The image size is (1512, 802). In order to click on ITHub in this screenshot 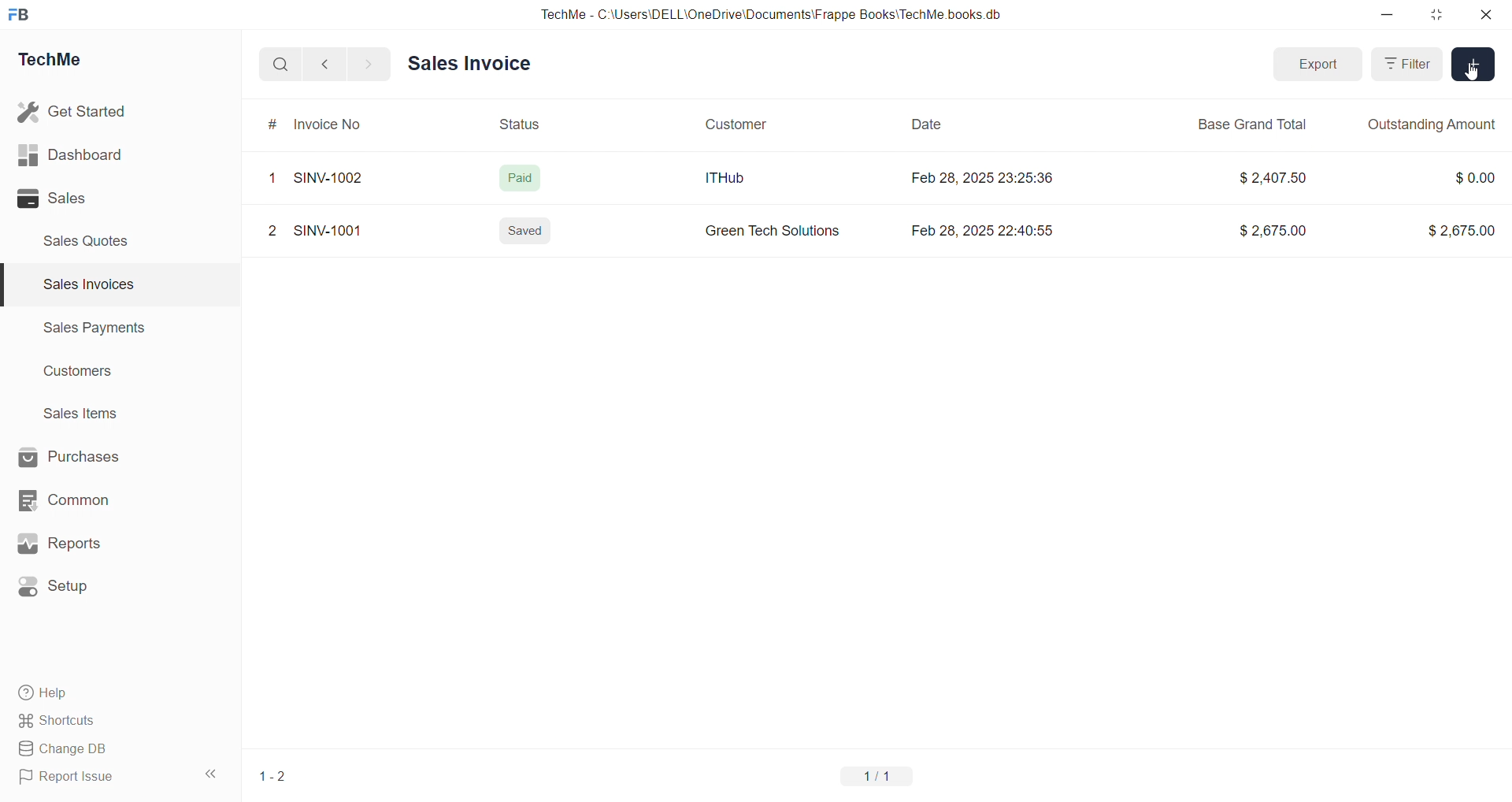, I will do `click(736, 177)`.